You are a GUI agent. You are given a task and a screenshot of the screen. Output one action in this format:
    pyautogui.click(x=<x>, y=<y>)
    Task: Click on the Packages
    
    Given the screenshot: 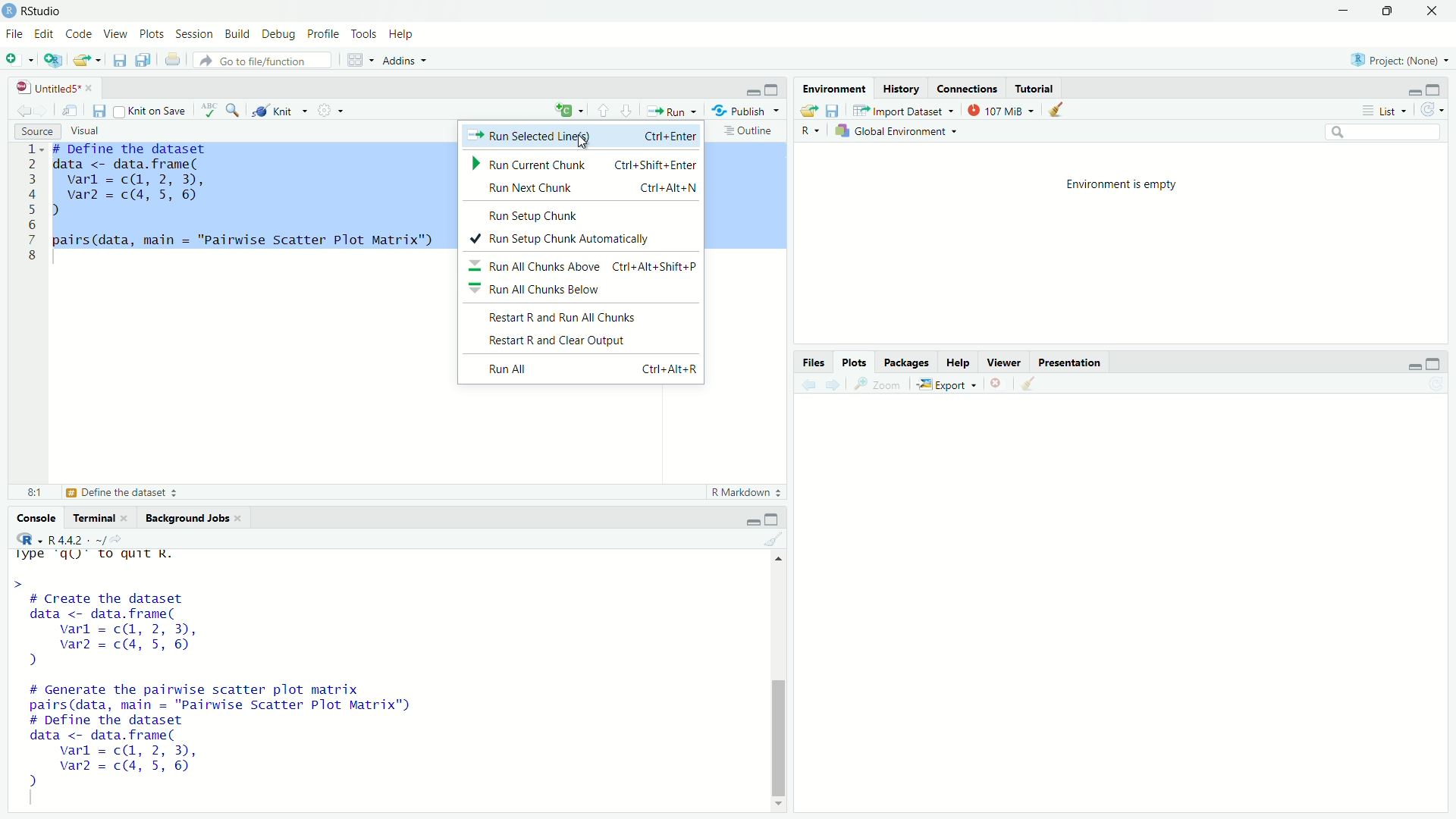 What is the action you would take?
    pyautogui.click(x=908, y=362)
    